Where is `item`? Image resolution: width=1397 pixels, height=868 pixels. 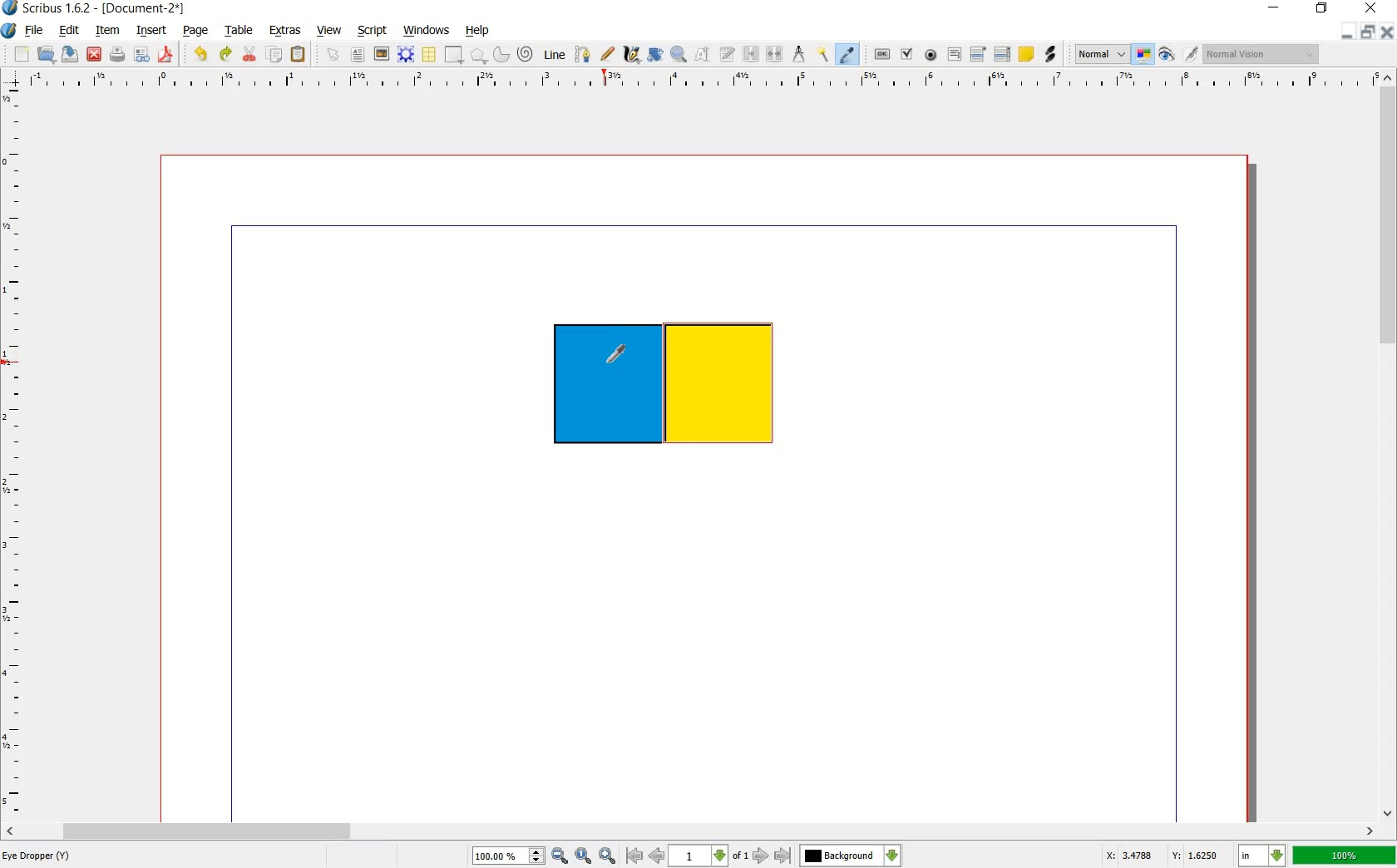 item is located at coordinates (108, 31).